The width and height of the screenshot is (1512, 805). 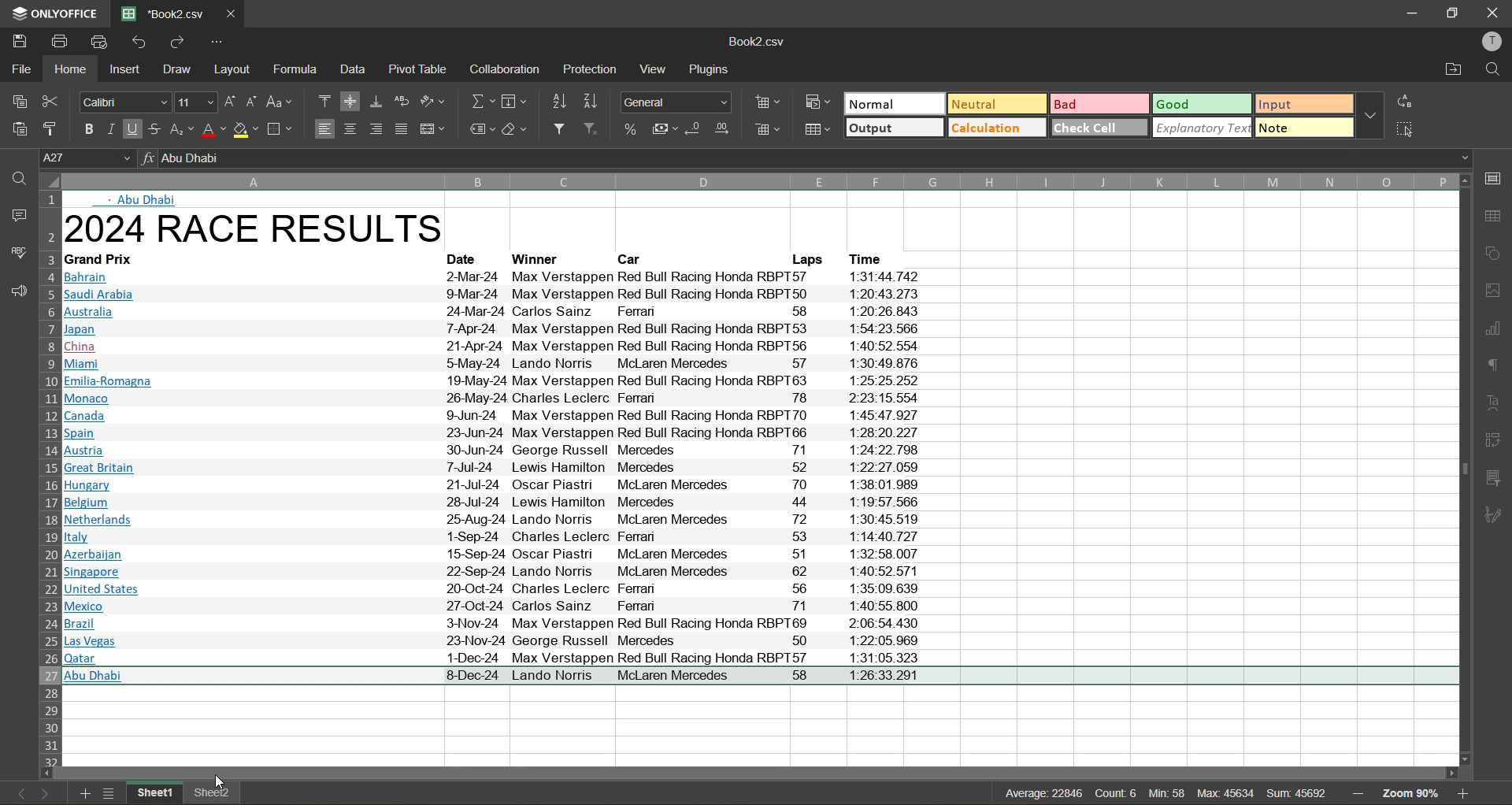 What do you see at coordinates (492, 312) in the screenshot?
I see `text info` at bounding box center [492, 312].